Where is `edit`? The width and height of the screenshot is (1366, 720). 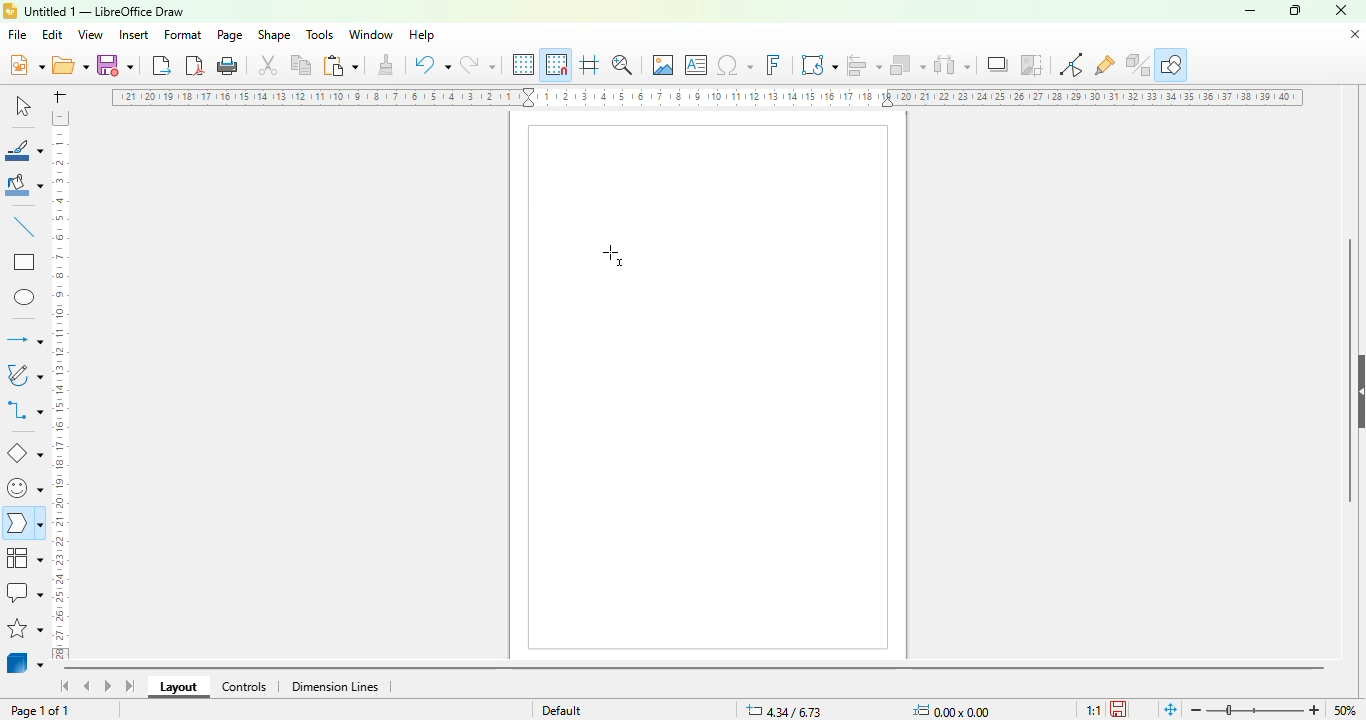
edit is located at coordinates (52, 35).